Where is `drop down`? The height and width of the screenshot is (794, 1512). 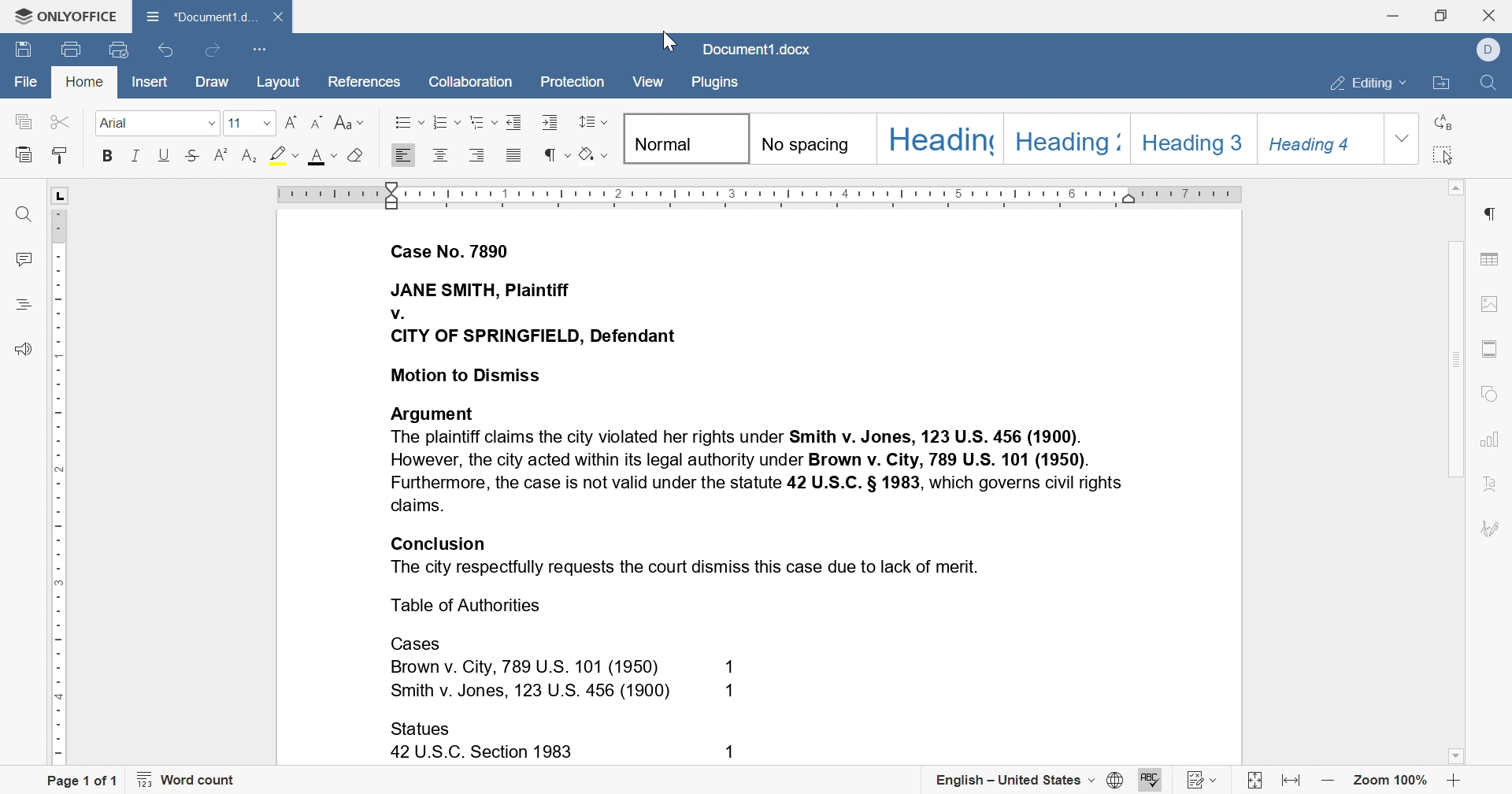
drop down is located at coordinates (1403, 138).